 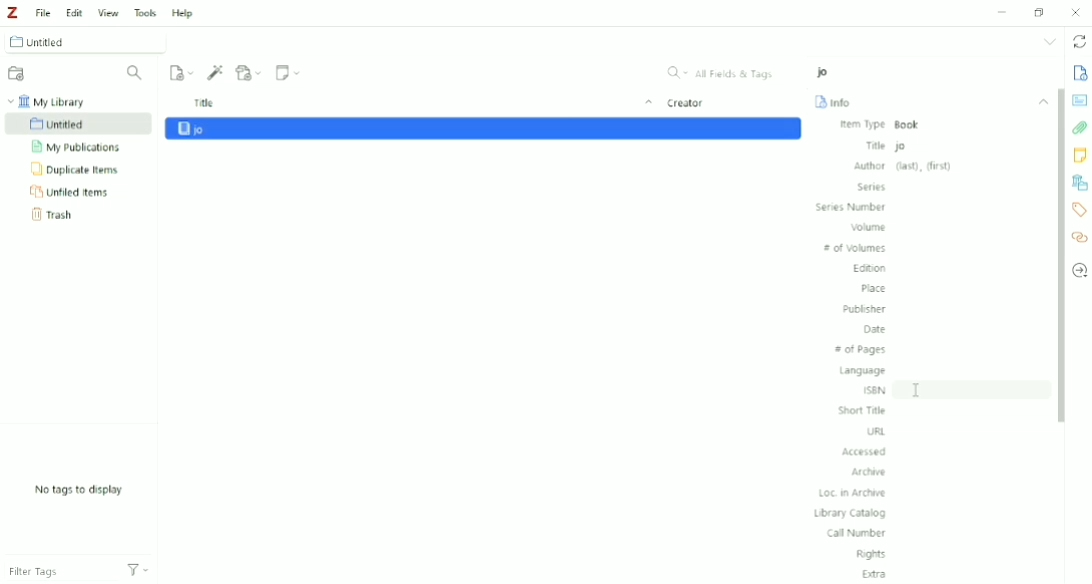 I want to click on Help, so click(x=184, y=14).